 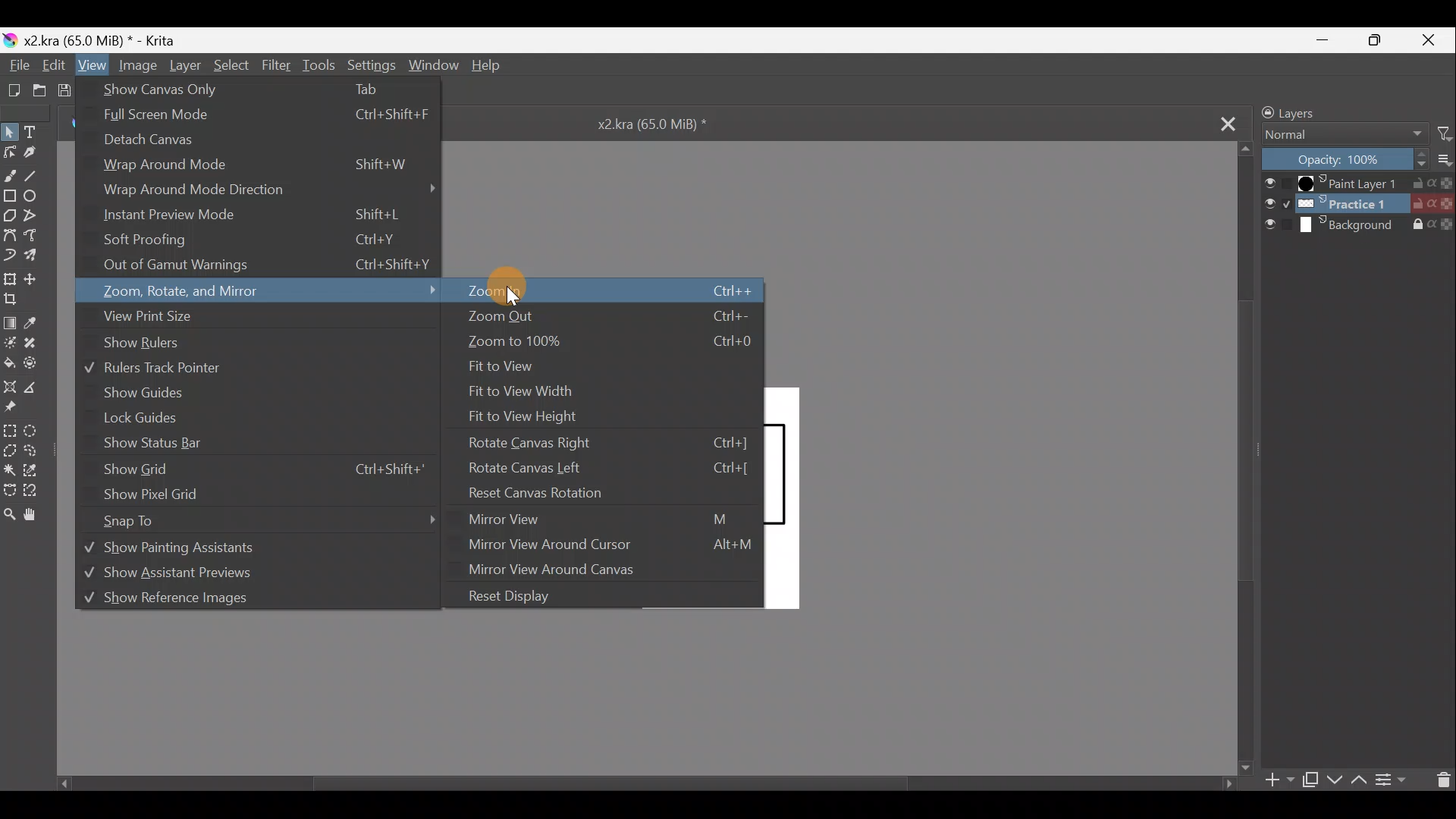 What do you see at coordinates (9, 430) in the screenshot?
I see `Rectangular selection tool` at bounding box center [9, 430].